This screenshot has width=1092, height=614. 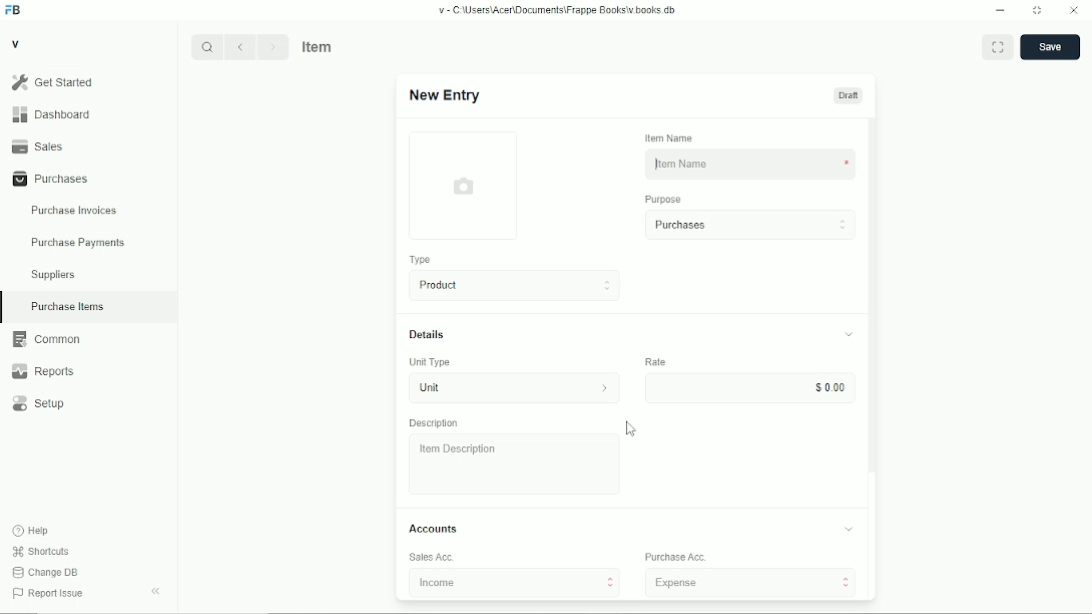 What do you see at coordinates (53, 82) in the screenshot?
I see `get started` at bounding box center [53, 82].